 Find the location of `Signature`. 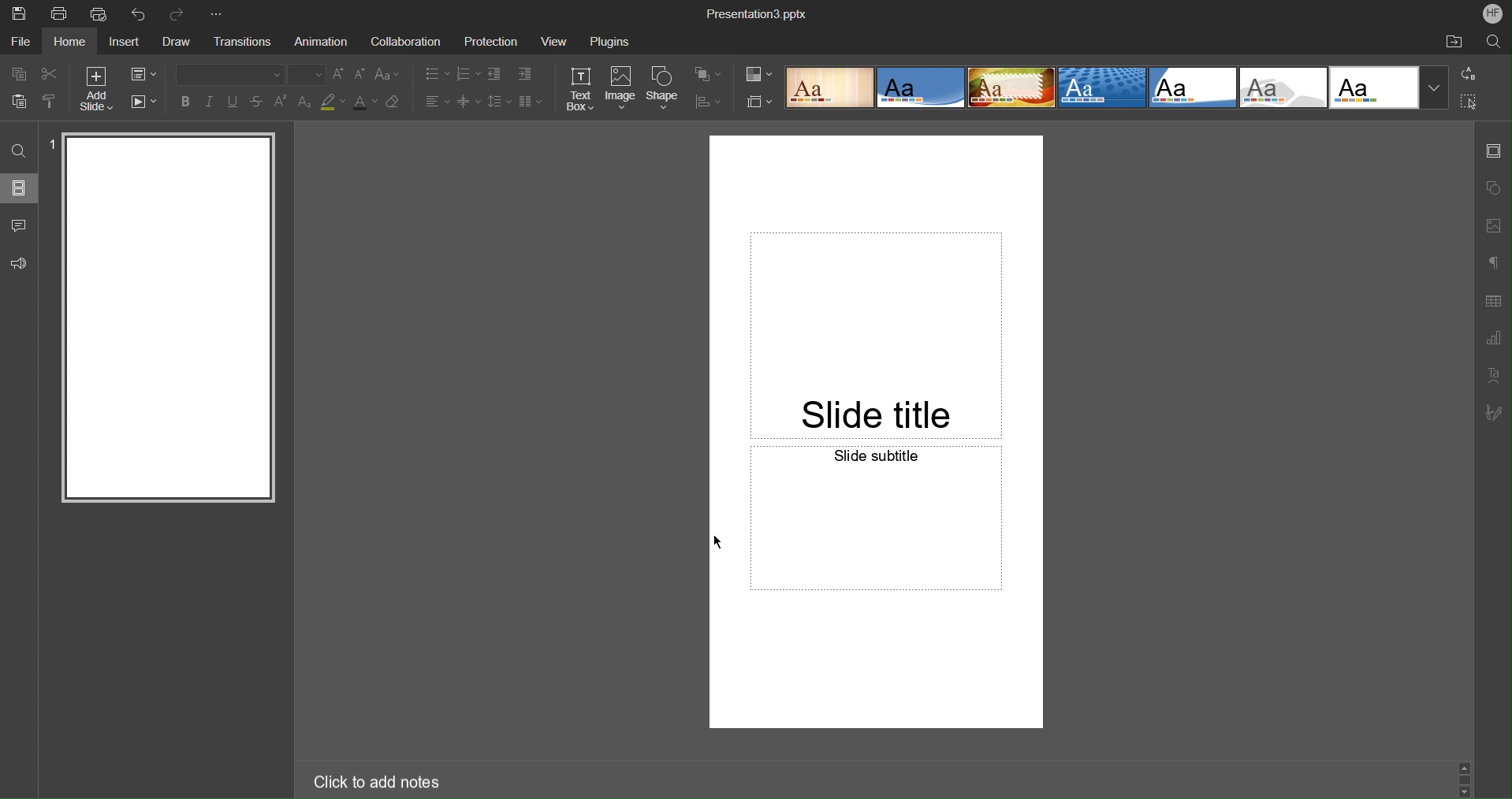

Signature is located at coordinates (1492, 413).